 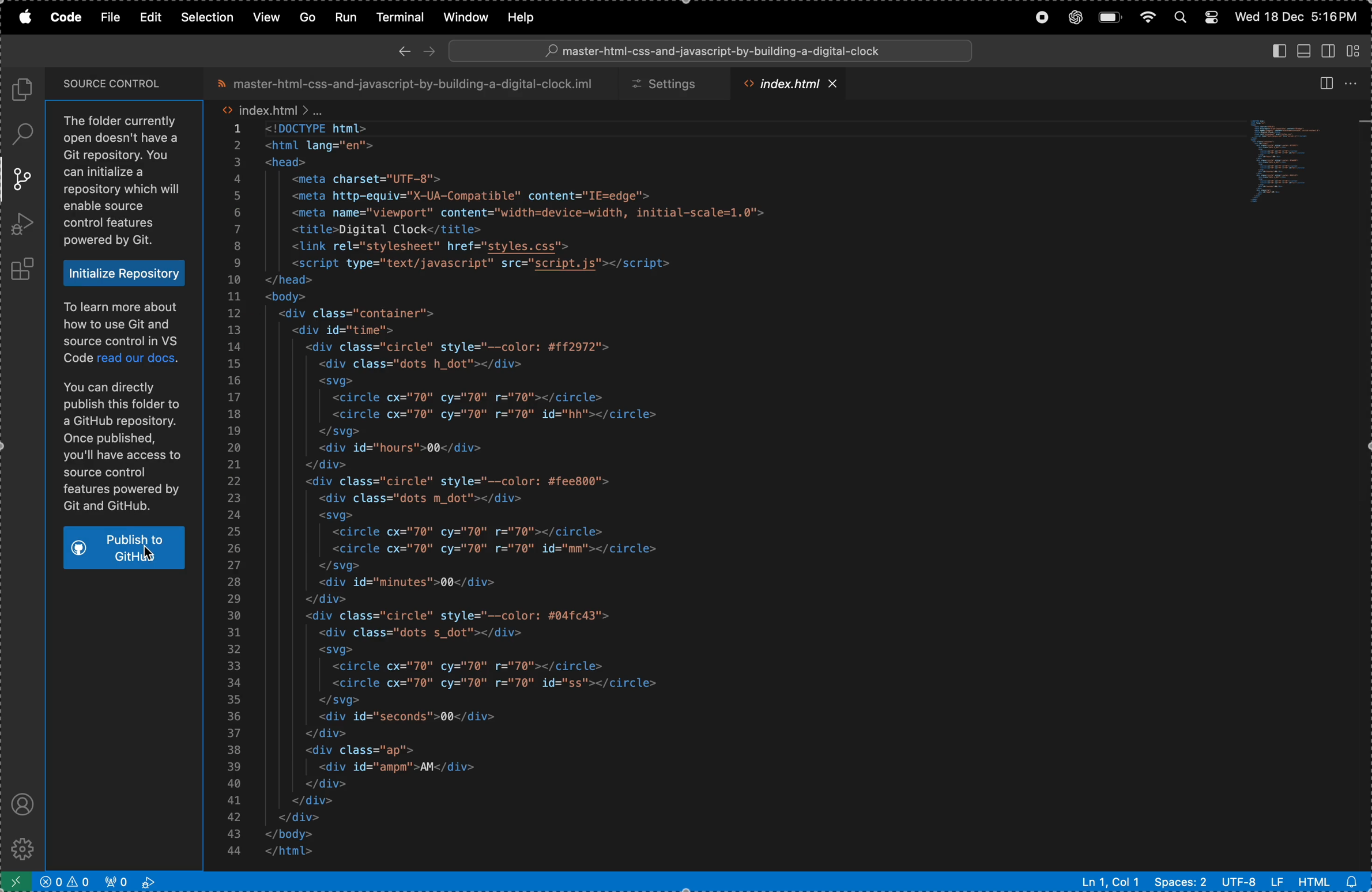 What do you see at coordinates (209, 16) in the screenshot?
I see `slection` at bounding box center [209, 16].